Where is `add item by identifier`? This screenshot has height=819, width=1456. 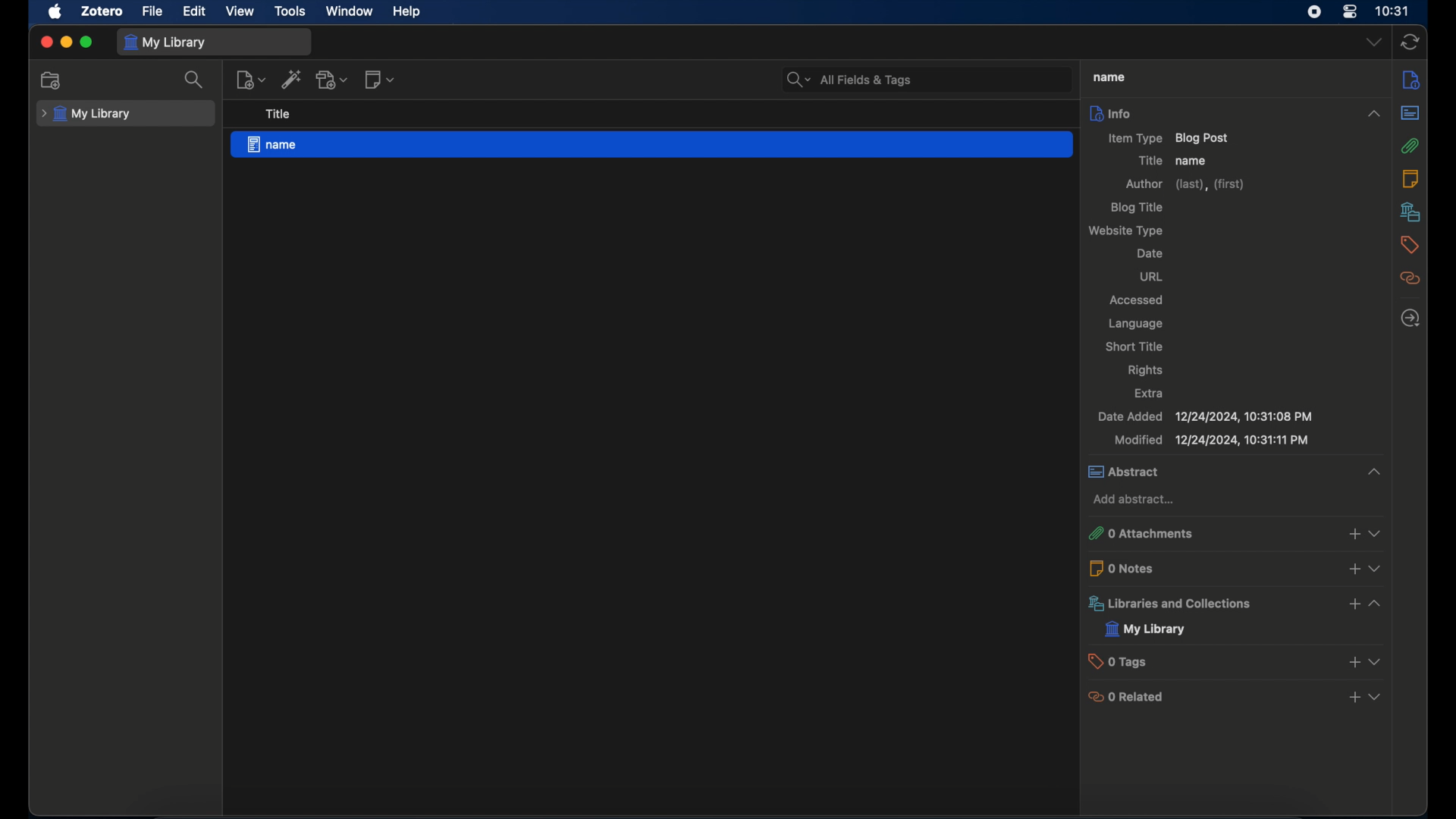 add item by identifier is located at coordinates (291, 78).